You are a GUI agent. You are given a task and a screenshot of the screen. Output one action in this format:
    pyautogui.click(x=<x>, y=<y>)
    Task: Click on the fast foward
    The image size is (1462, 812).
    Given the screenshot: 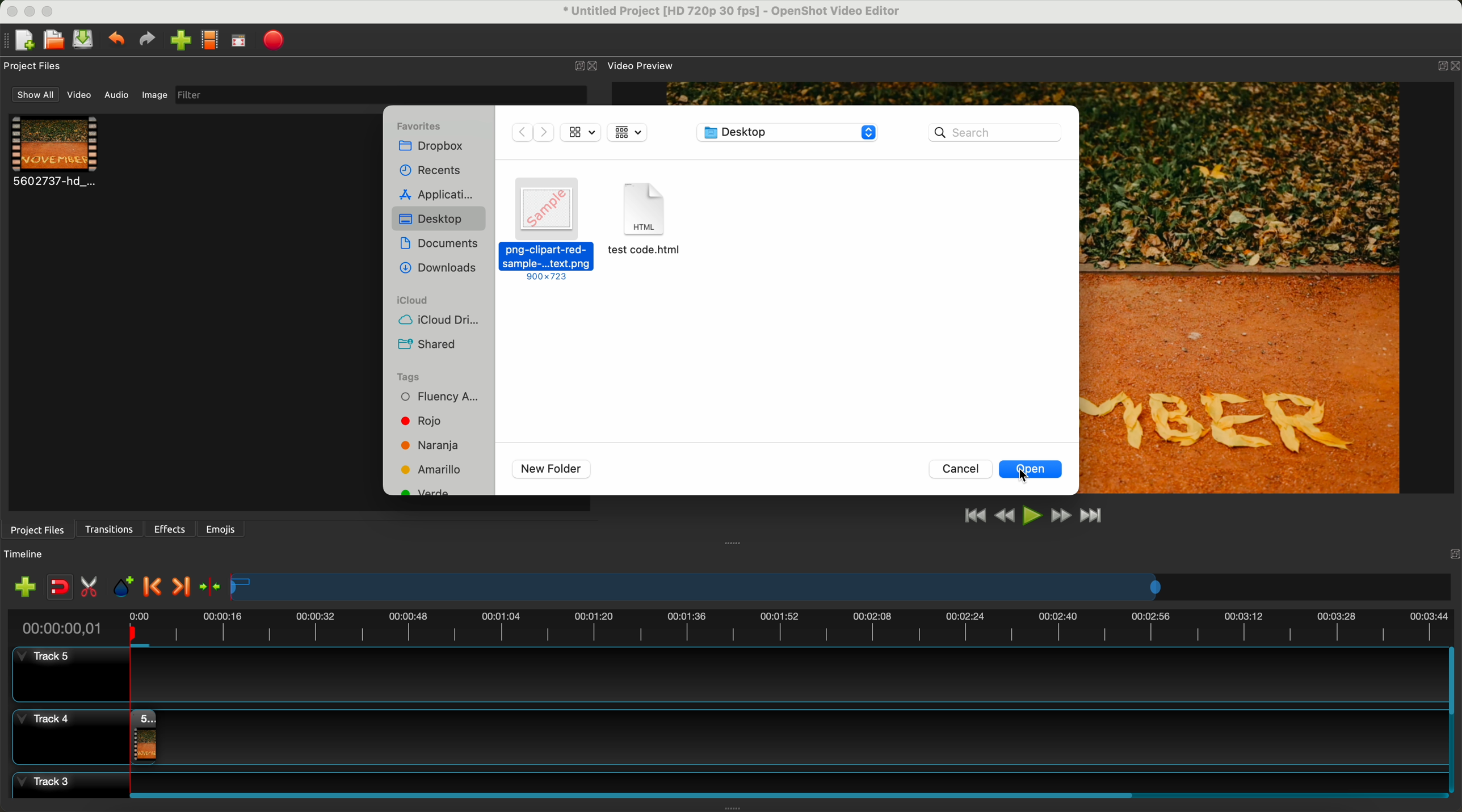 What is the action you would take?
    pyautogui.click(x=1060, y=517)
    